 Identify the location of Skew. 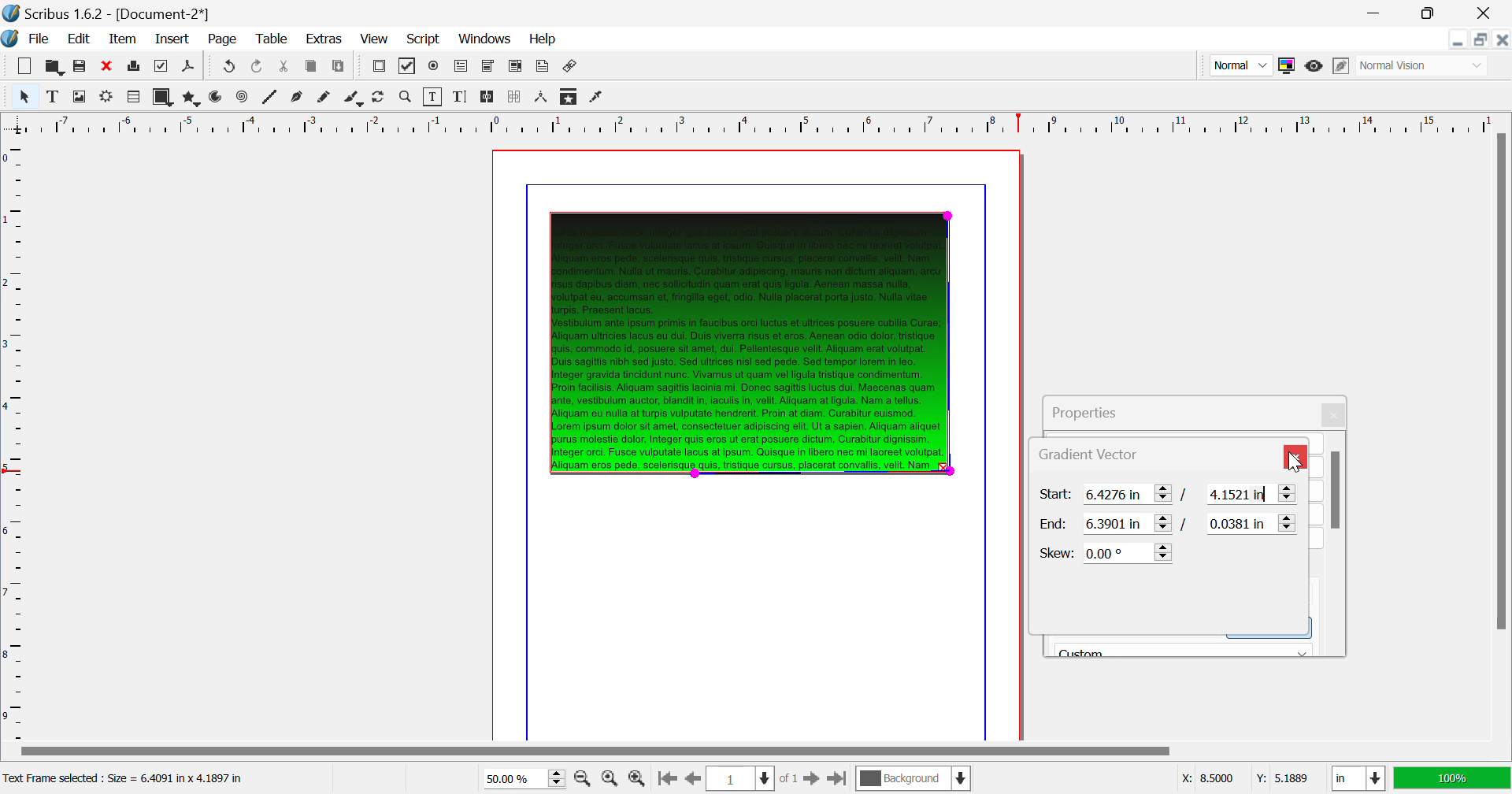
(1107, 552).